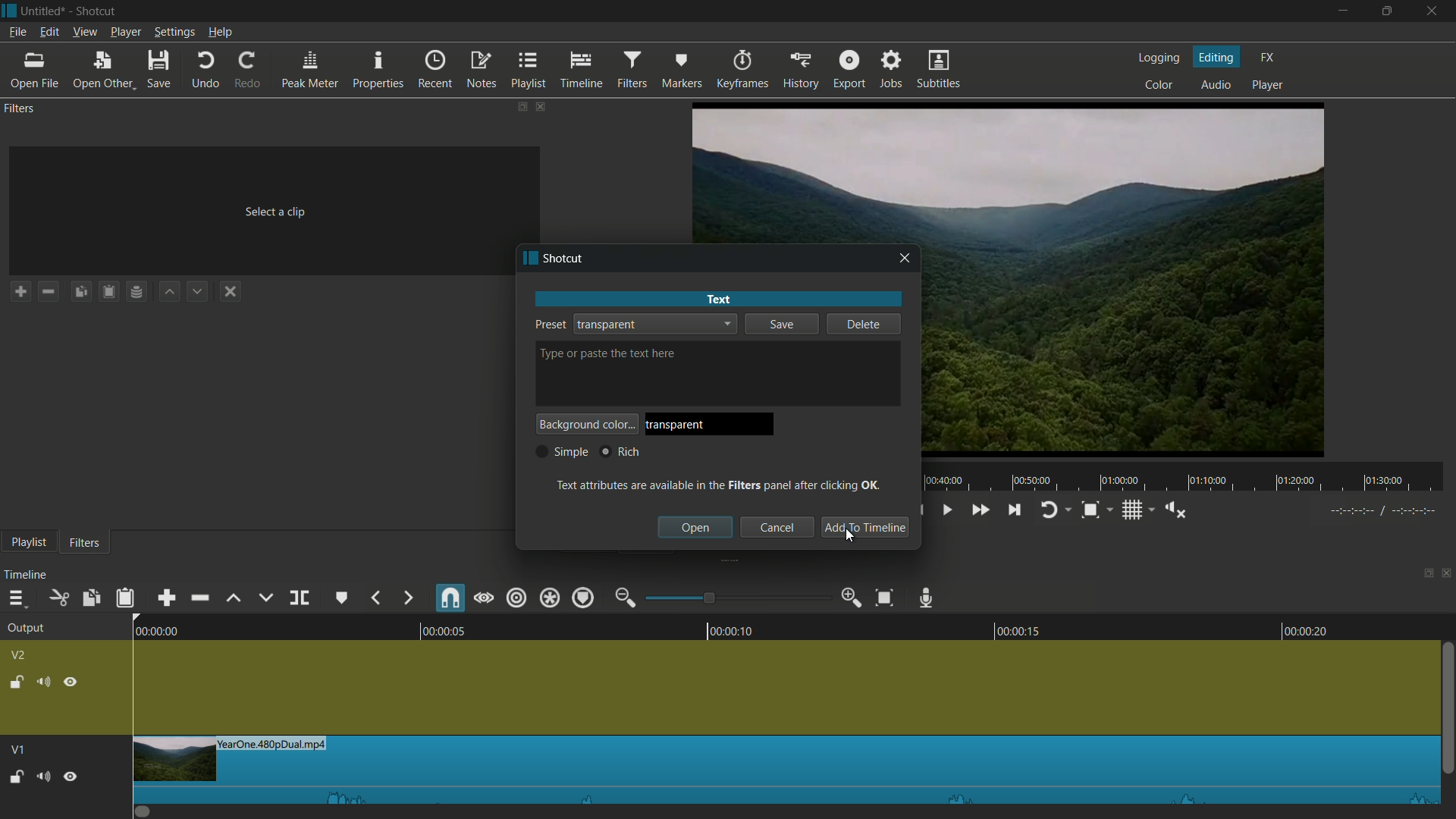 The width and height of the screenshot is (1456, 819). Describe the element at coordinates (977, 509) in the screenshot. I see `quickly play forward` at that location.